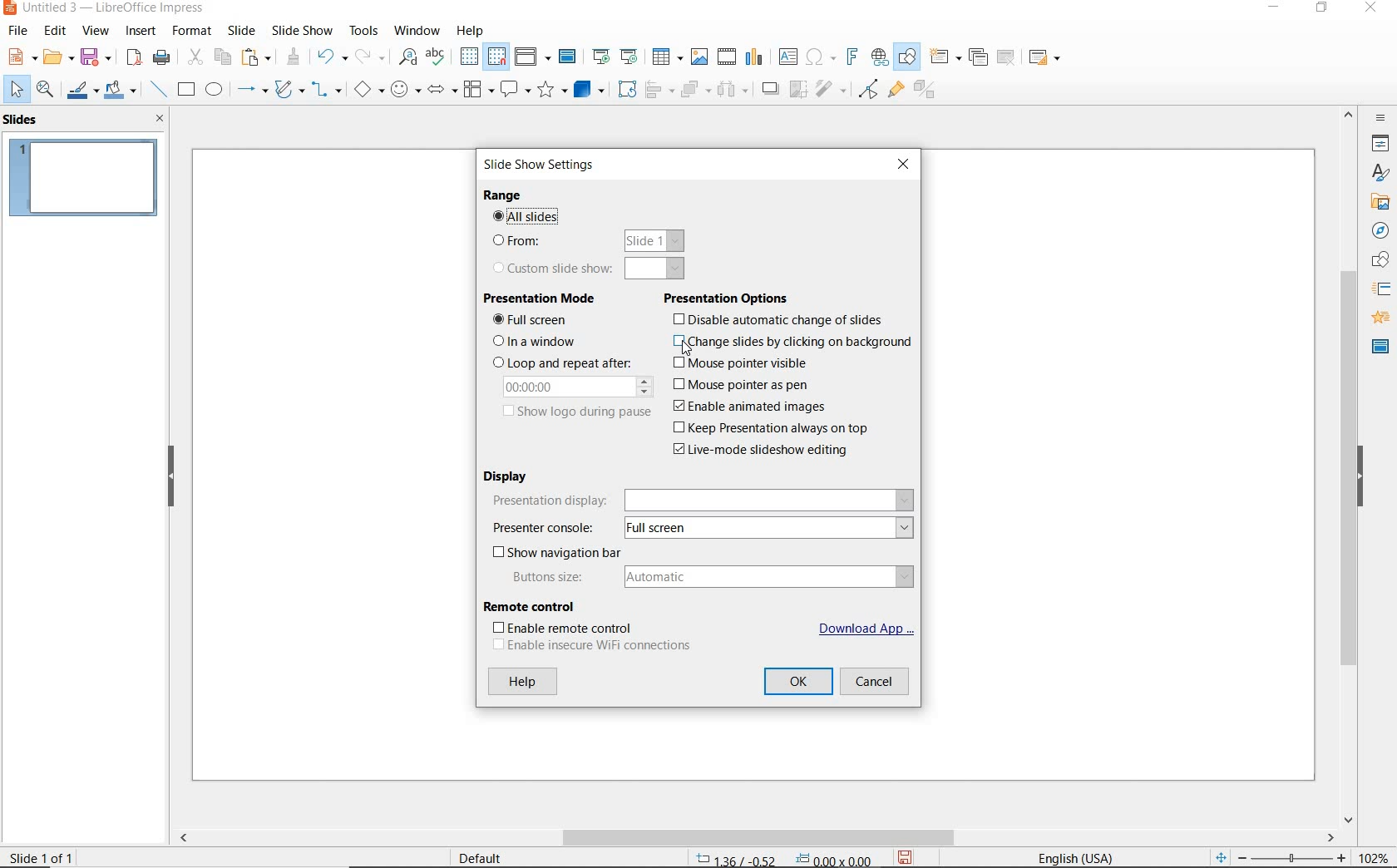 The height and width of the screenshot is (868, 1397). I want to click on DOWNLOAD APP, so click(867, 629).